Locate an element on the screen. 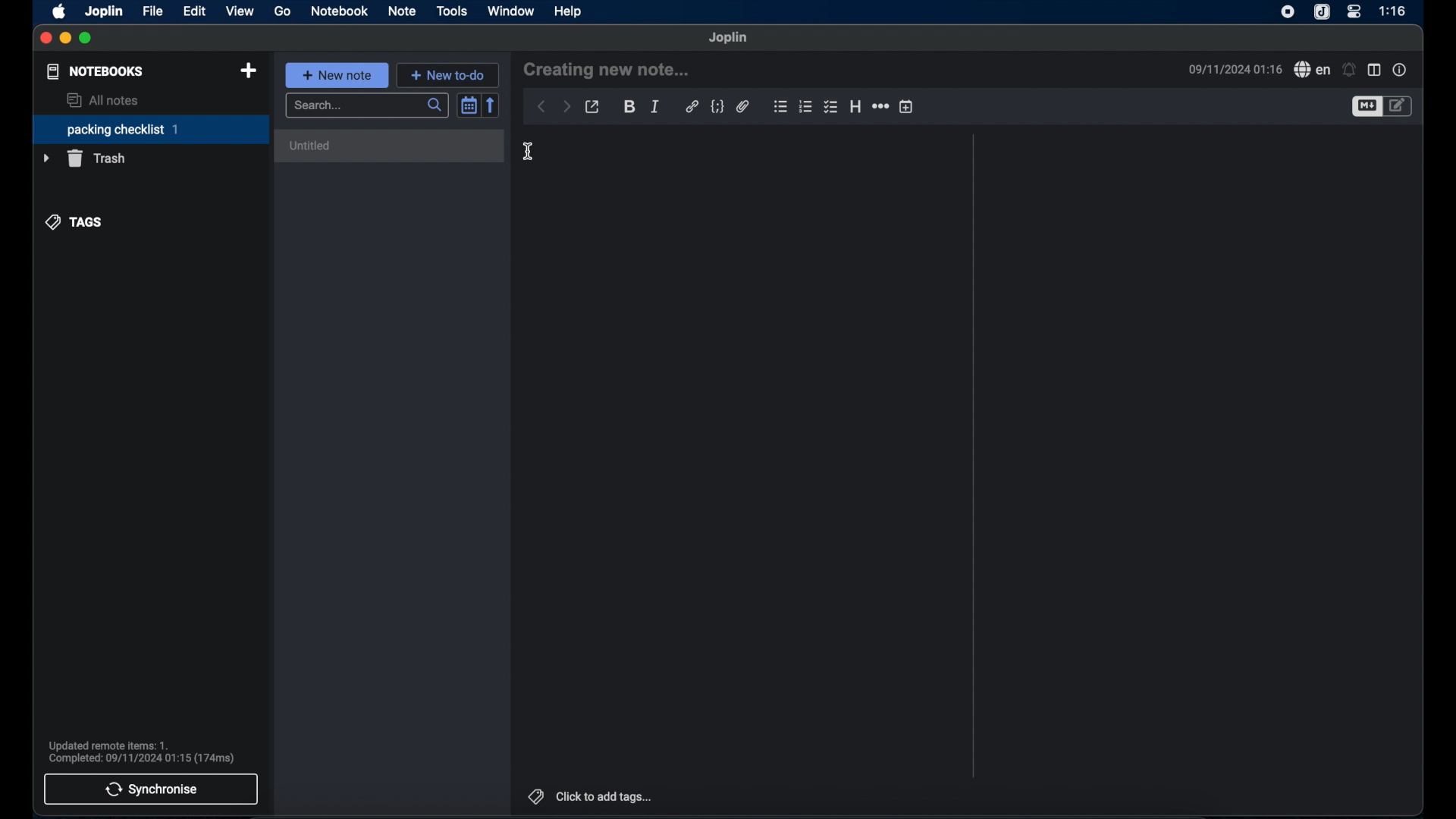  new to do is located at coordinates (448, 74).